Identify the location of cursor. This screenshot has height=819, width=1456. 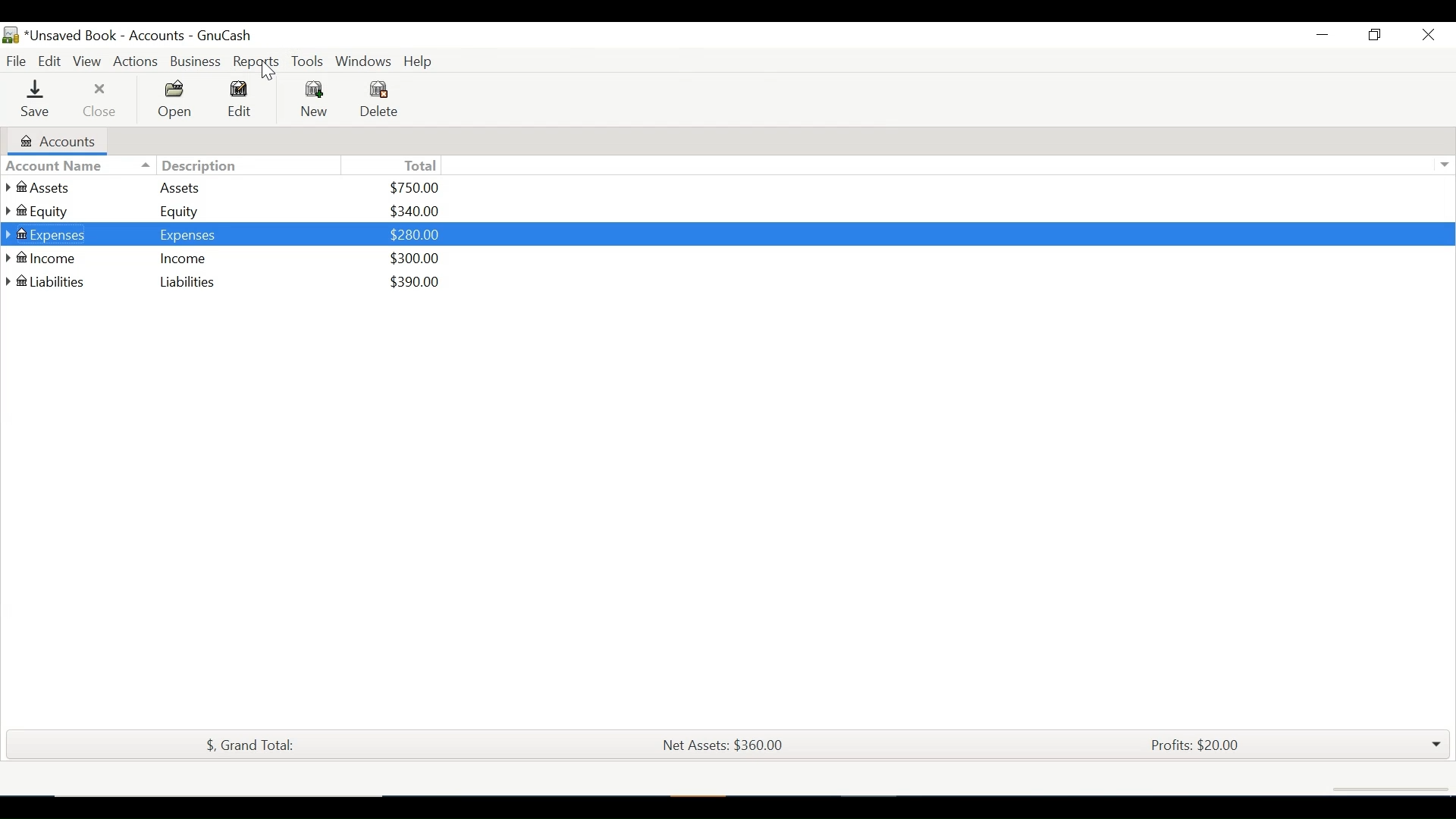
(271, 72).